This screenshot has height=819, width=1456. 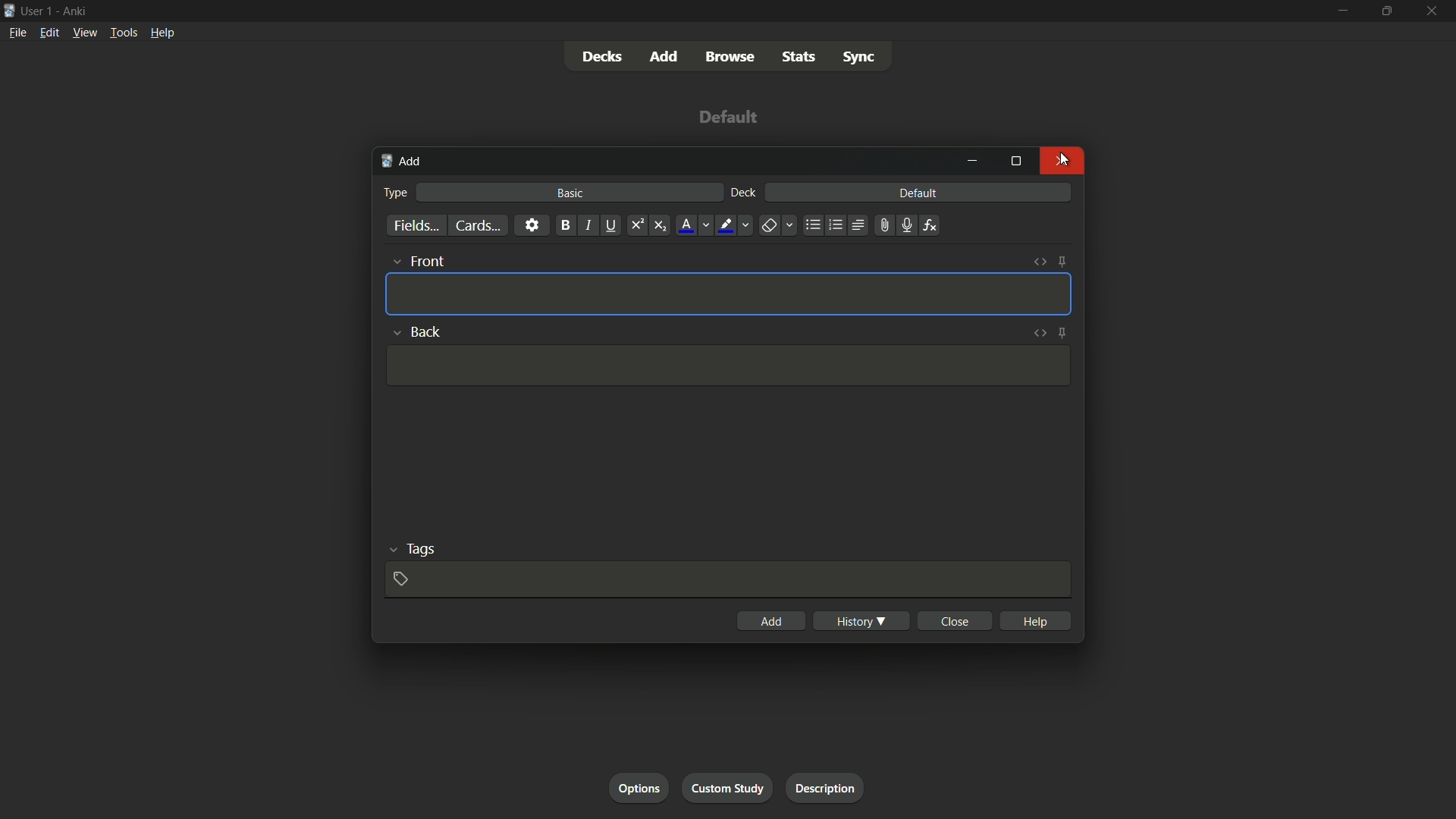 I want to click on tools menu, so click(x=121, y=33).